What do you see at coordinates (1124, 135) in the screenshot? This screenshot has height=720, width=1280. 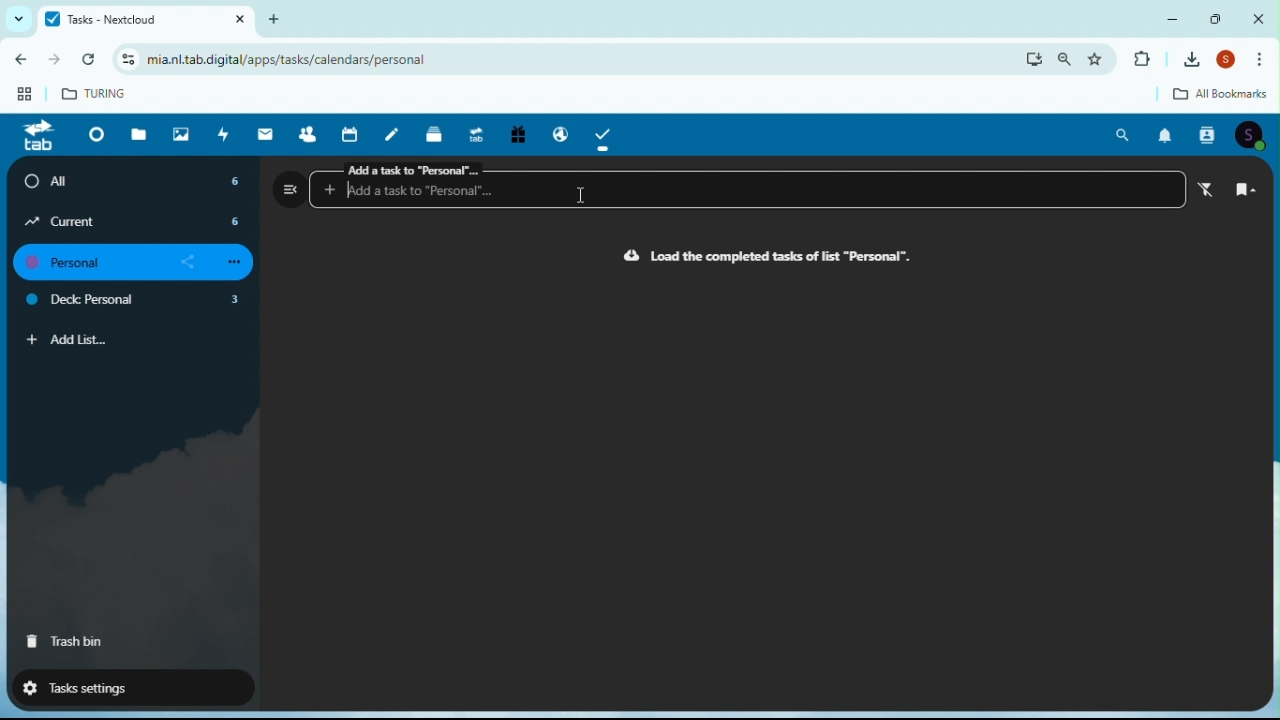 I see `Search` at bounding box center [1124, 135].